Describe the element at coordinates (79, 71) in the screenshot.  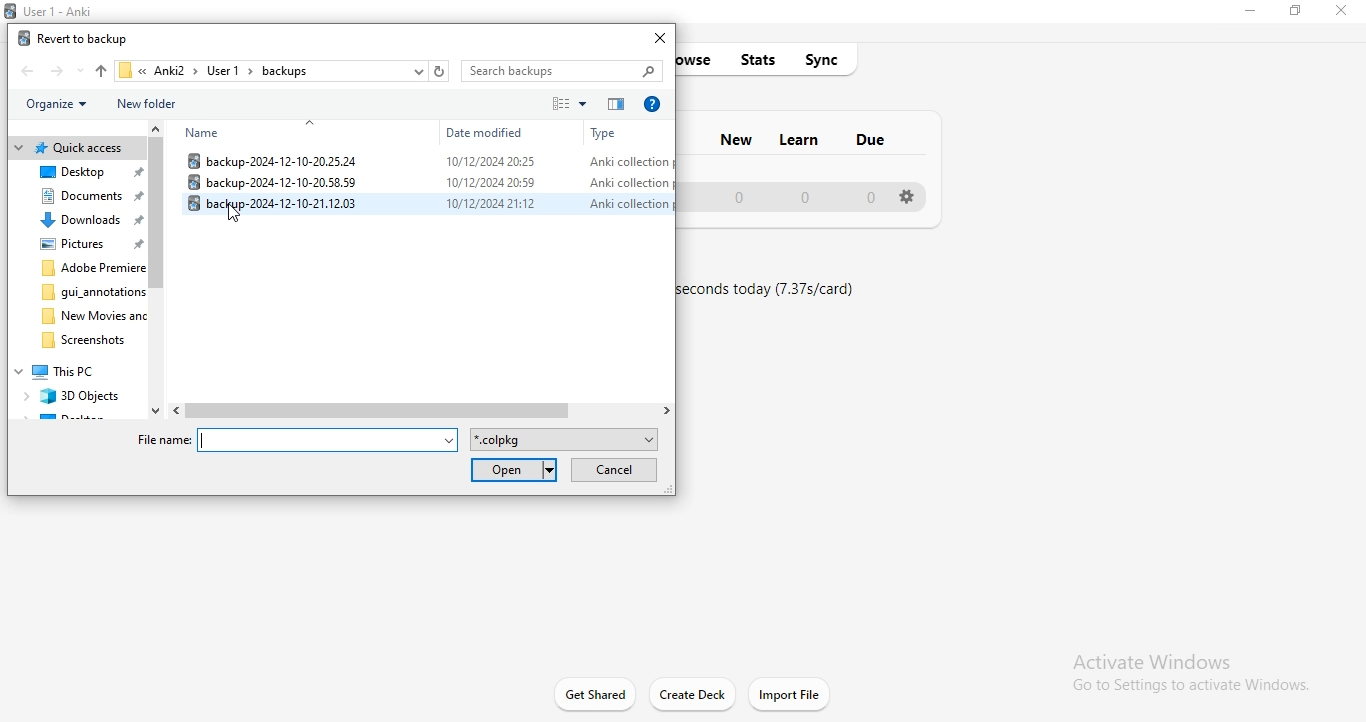
I see `file down` at that location.